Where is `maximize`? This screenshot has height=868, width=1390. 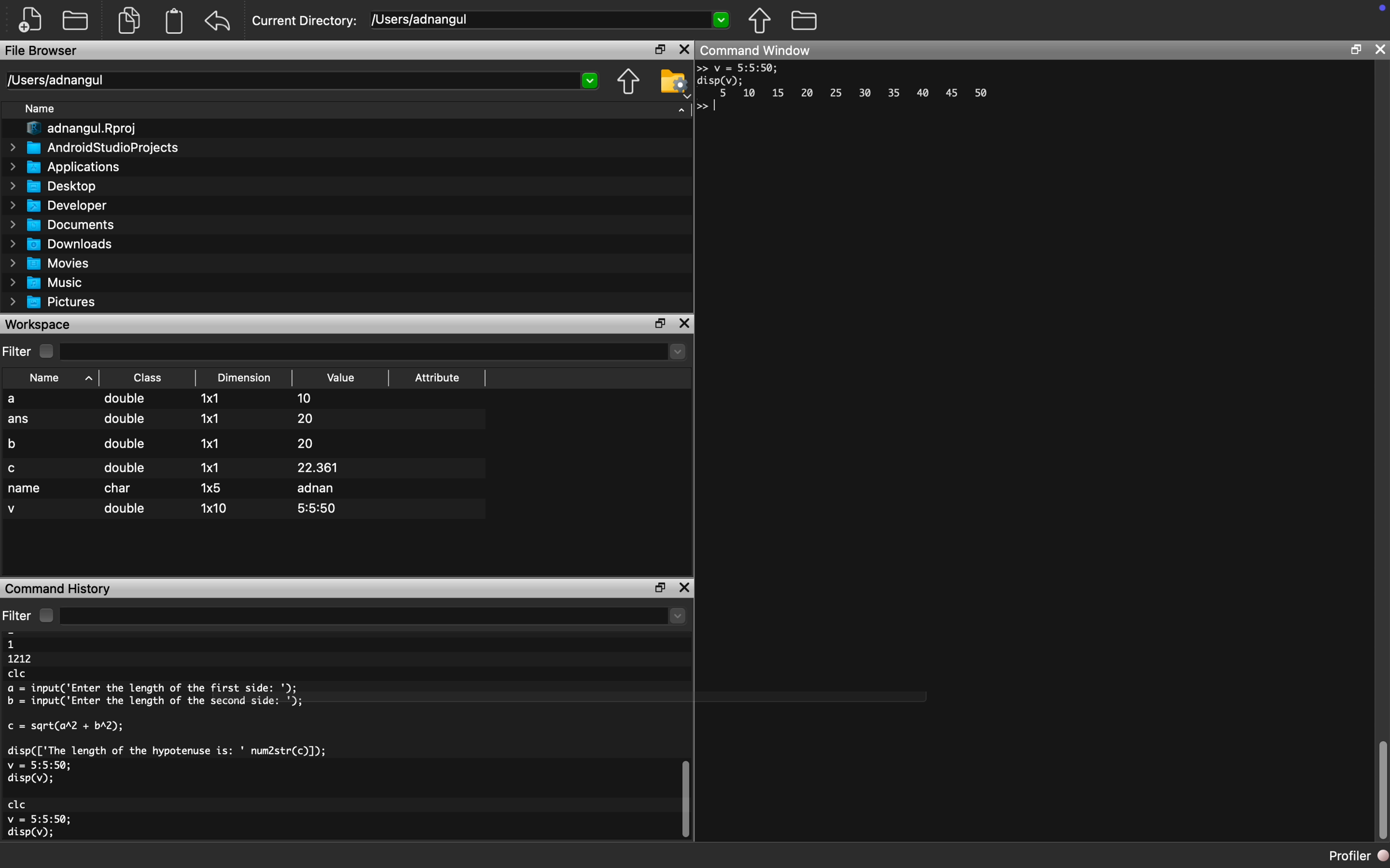 maximize is located at coordinates (658, 588).